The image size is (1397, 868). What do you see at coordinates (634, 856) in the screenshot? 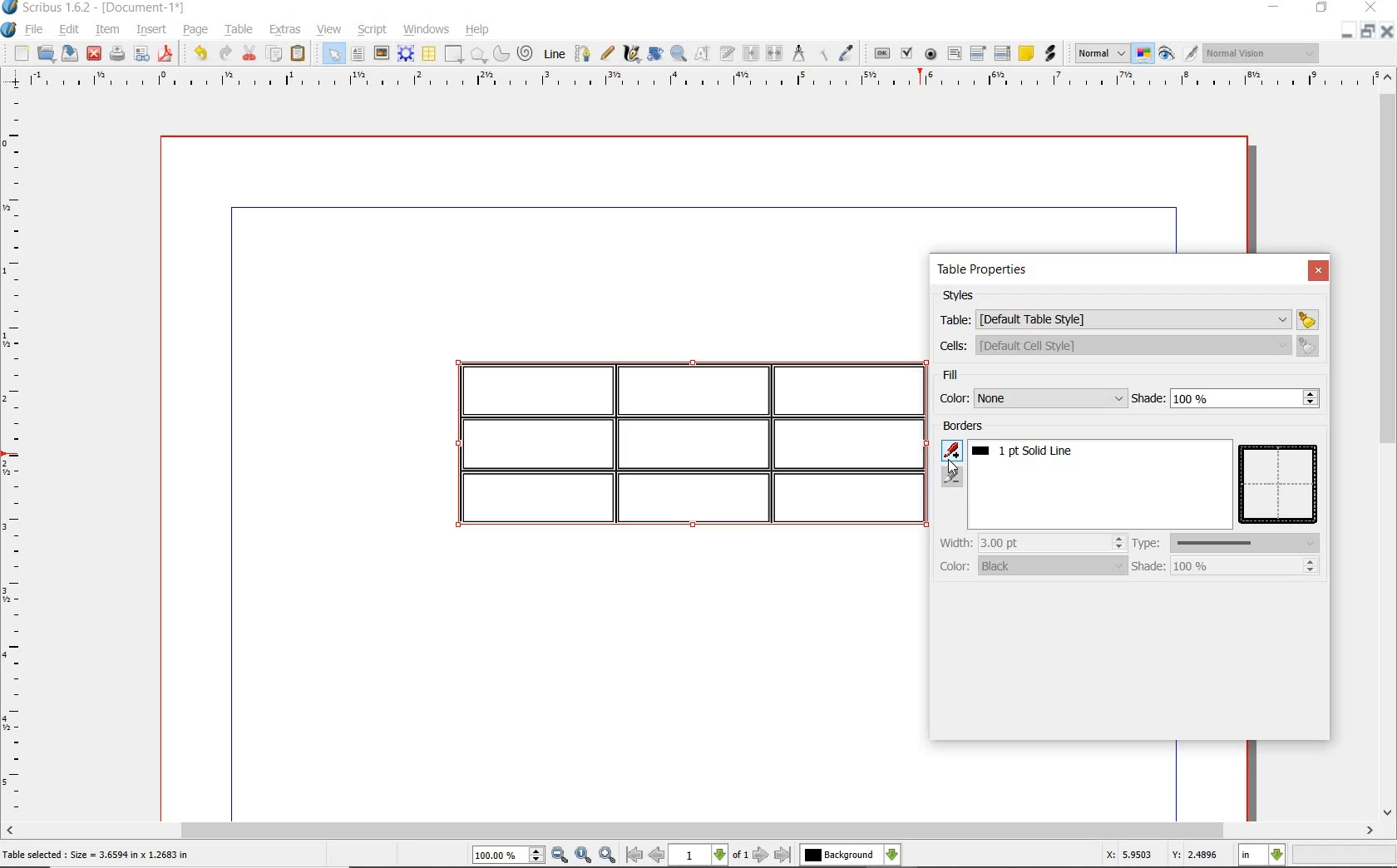
I see `go to first page` at bounding box center [634, 856].